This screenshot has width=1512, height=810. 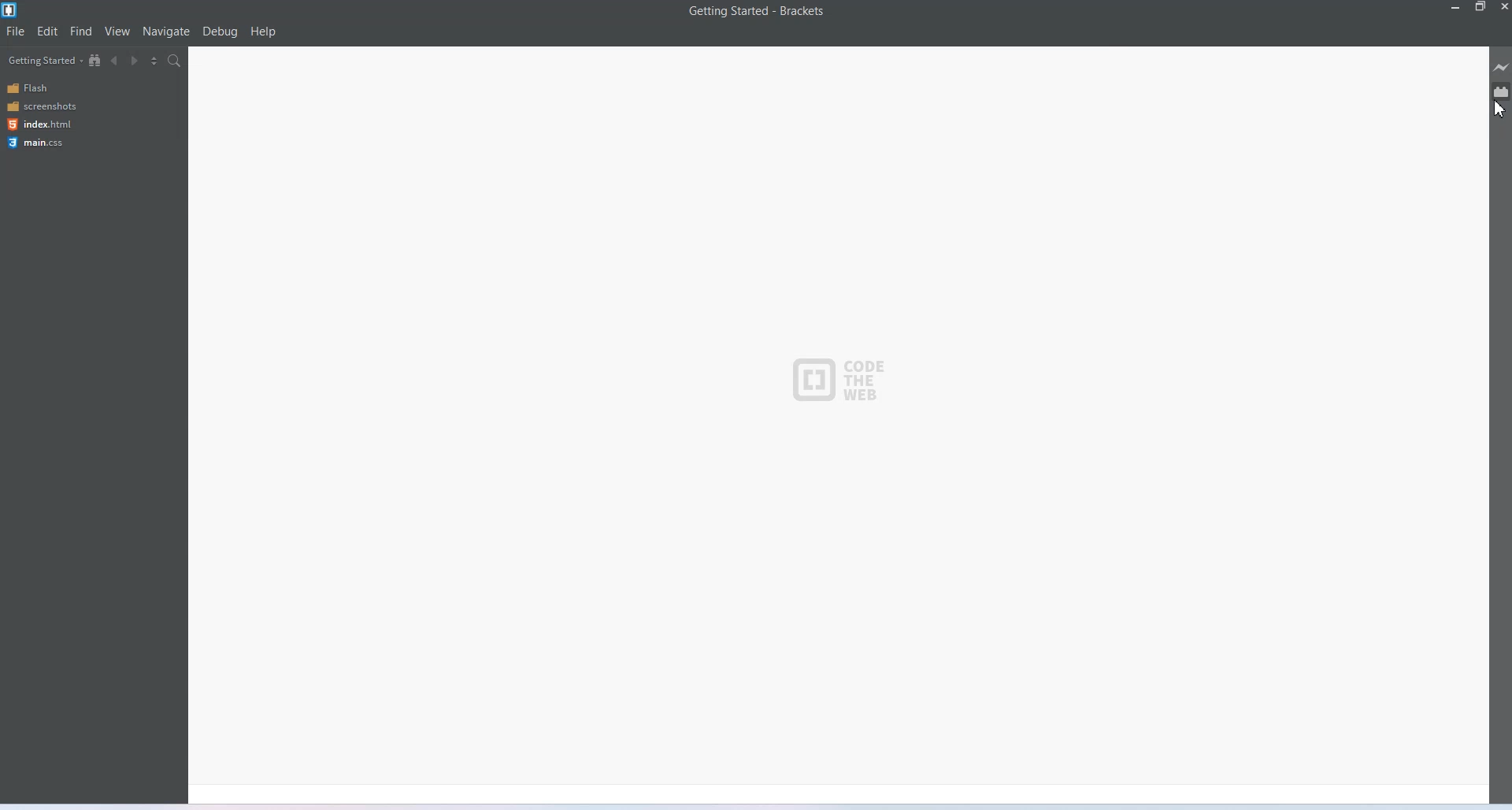 What do you see at coordinates (40, 143) in the screenshot?
I see `main.css` at bounding box center [40, 143].